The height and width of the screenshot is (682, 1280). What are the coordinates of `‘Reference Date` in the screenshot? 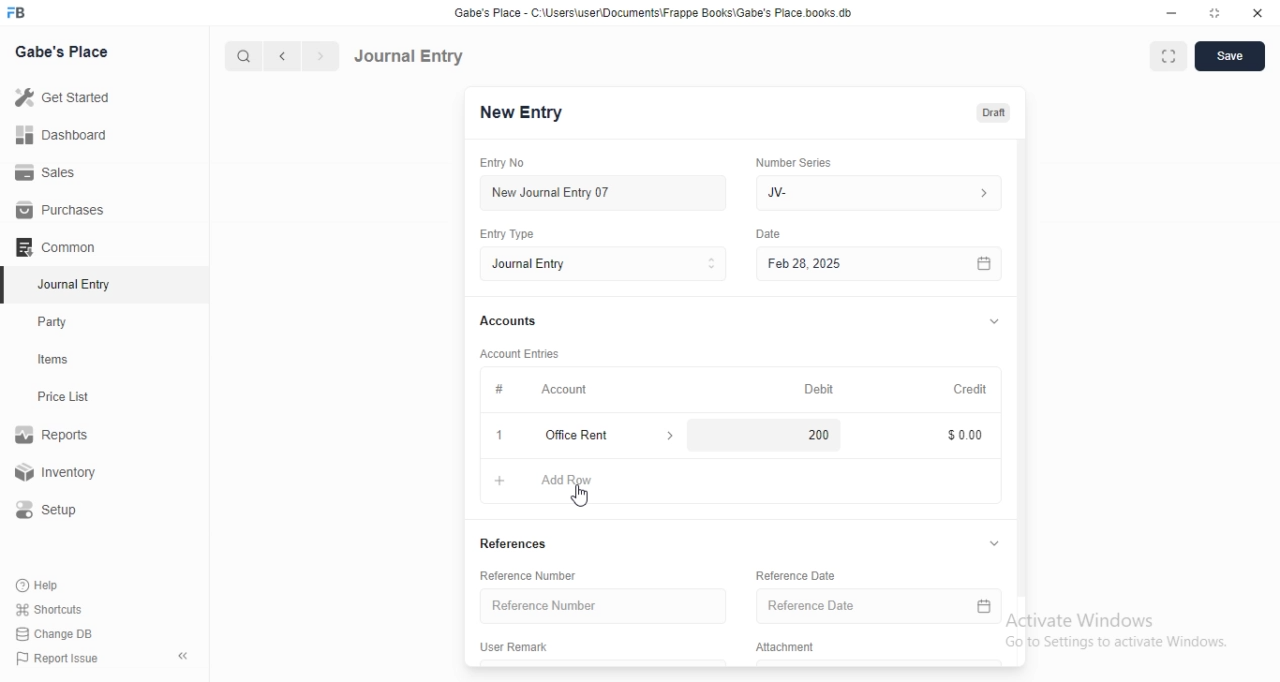 It's located at (796, 578).